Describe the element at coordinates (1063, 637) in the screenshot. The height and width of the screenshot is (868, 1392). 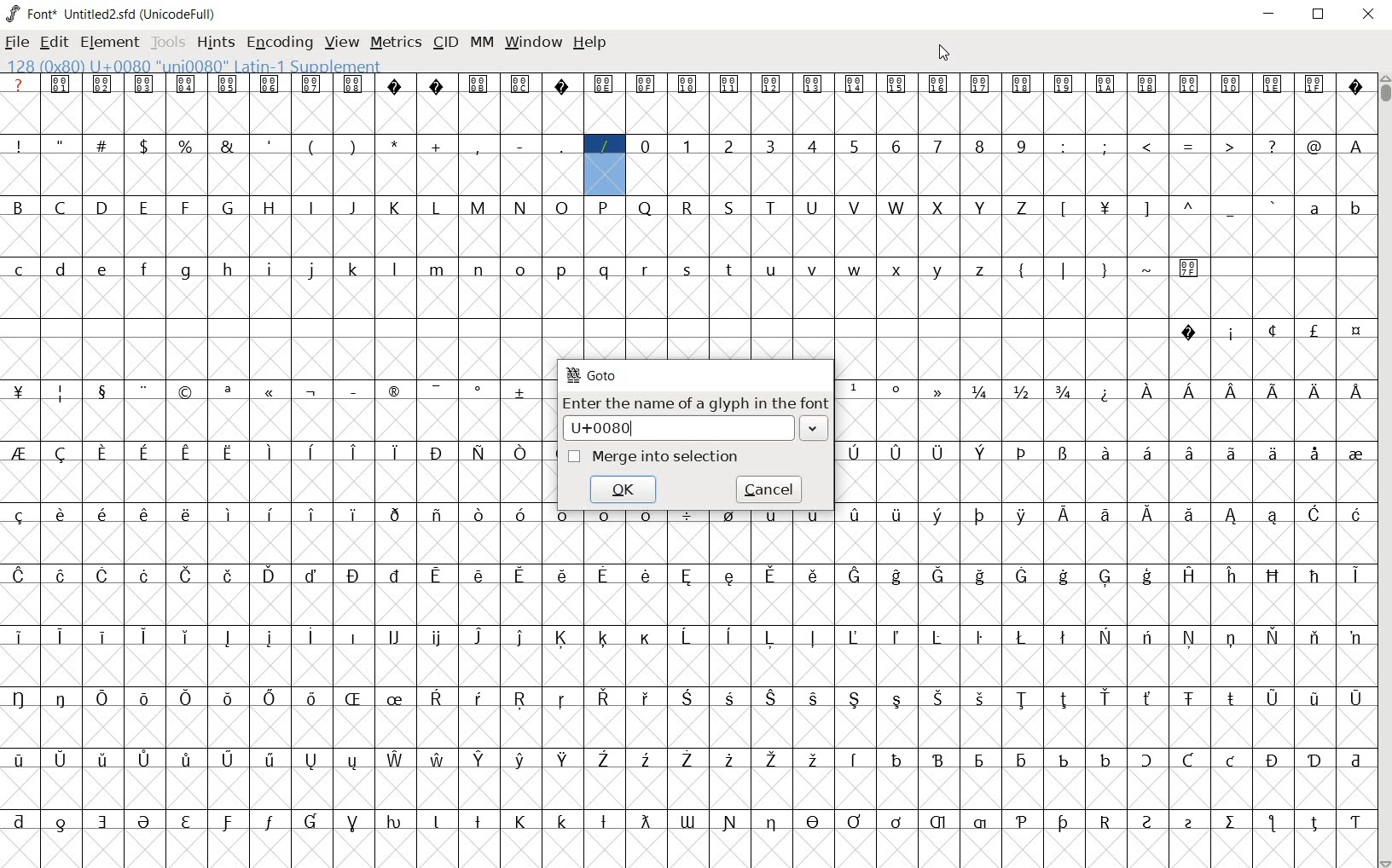
I see `glyph` at that location.